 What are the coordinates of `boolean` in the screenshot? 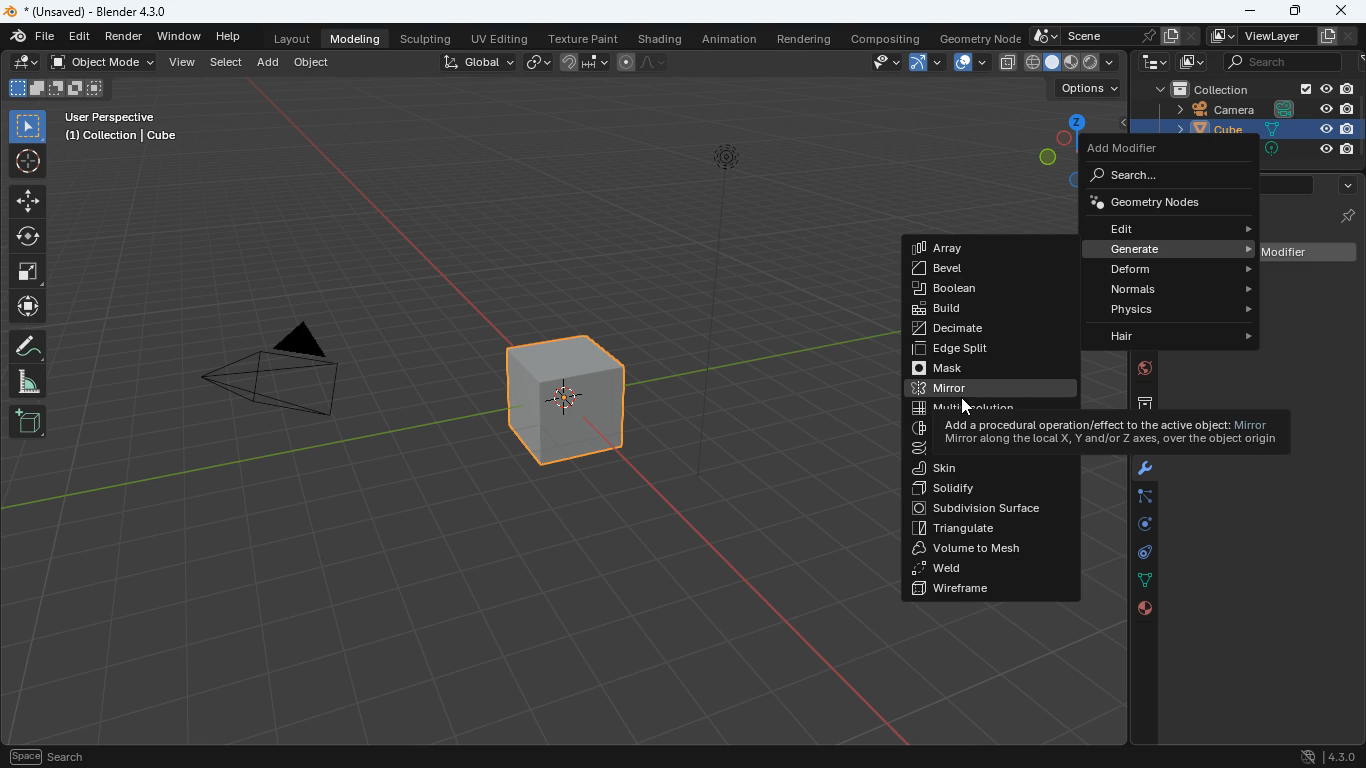 It's located at (975, 290).